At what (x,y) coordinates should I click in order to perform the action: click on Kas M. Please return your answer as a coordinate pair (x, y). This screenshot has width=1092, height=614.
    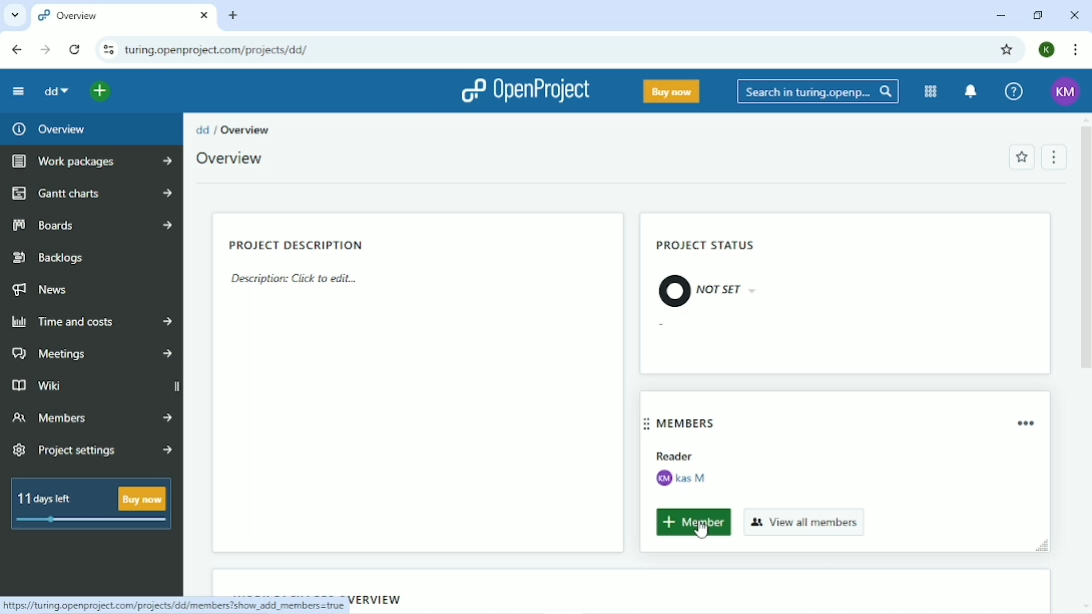
    Looking at the image, I should click on (686, 478).